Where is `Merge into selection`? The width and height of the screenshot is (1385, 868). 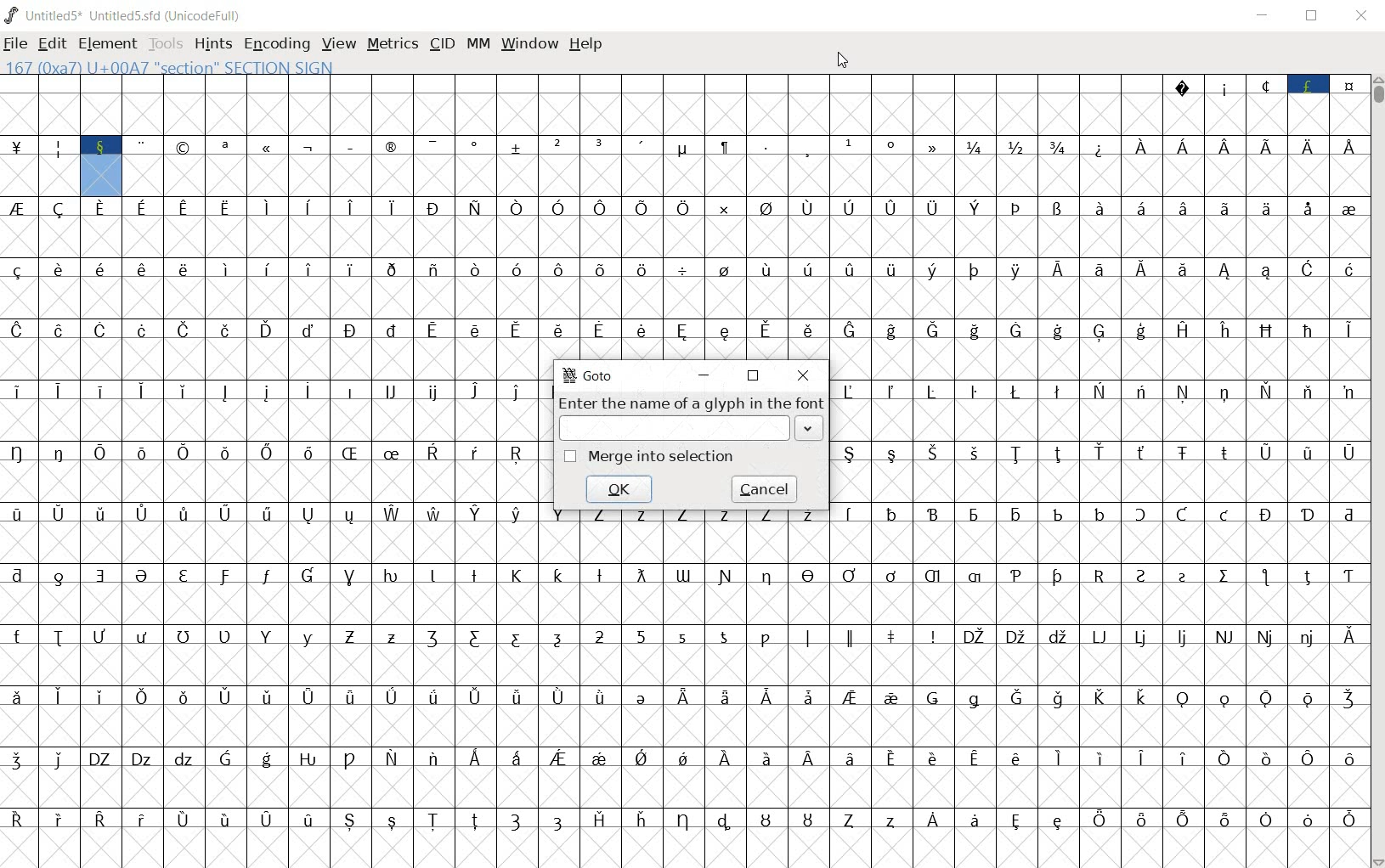 Merge into selection is located at coordinates (647, 457).